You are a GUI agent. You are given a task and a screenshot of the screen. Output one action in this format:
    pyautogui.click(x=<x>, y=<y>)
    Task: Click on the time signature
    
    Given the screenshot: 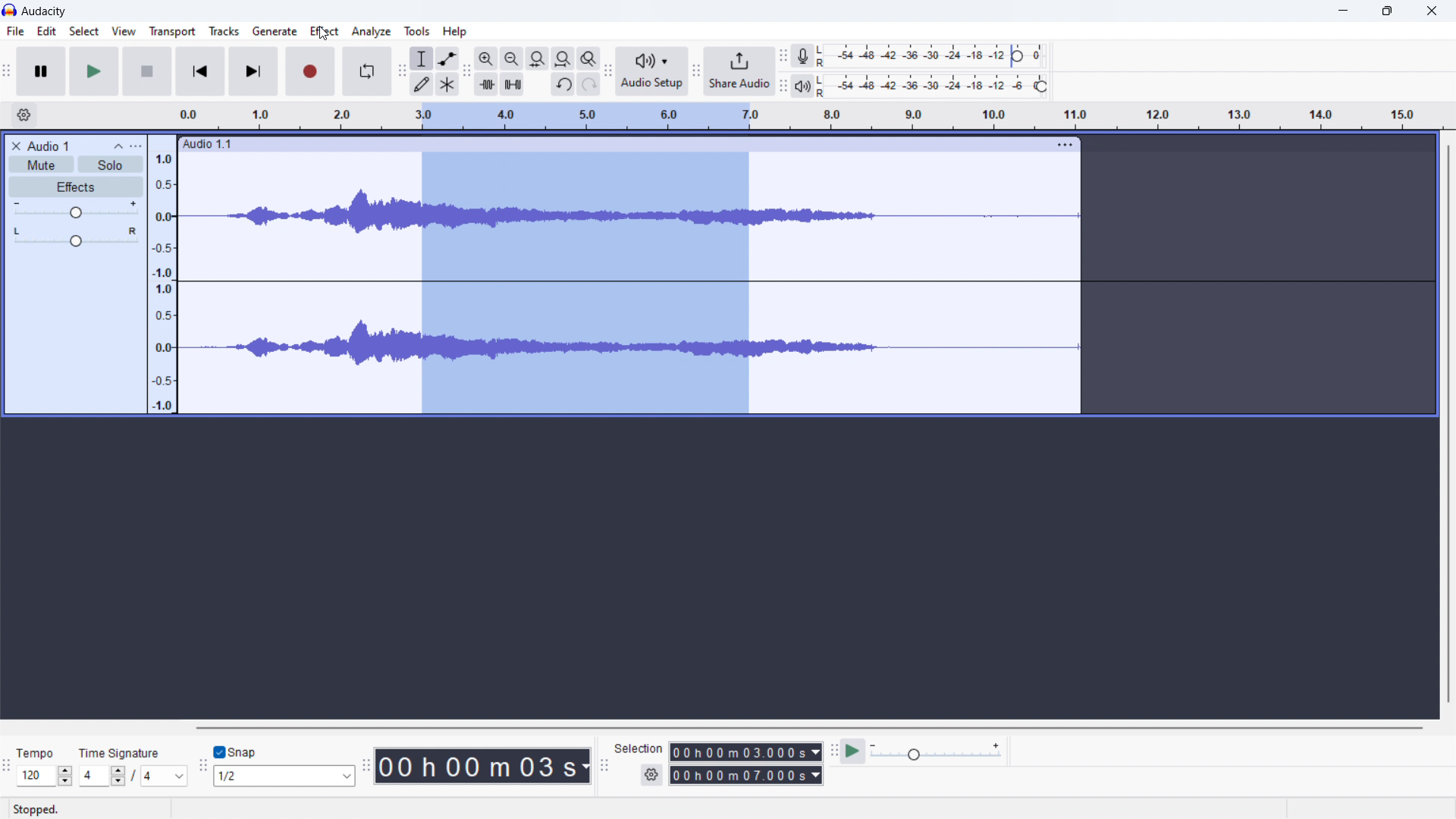 What is the action you would take?
    pyautogui.click(x=807, y=114)
    